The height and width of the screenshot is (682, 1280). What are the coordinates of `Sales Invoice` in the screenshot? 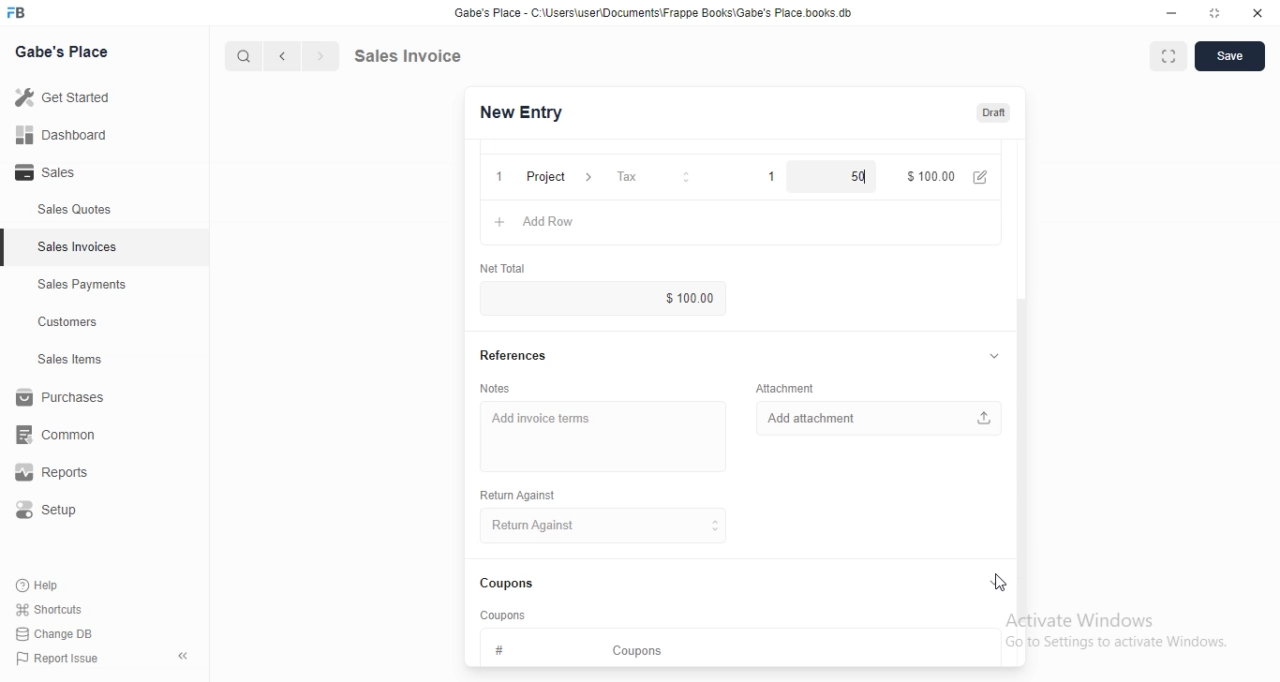 It's located at (419, 55).